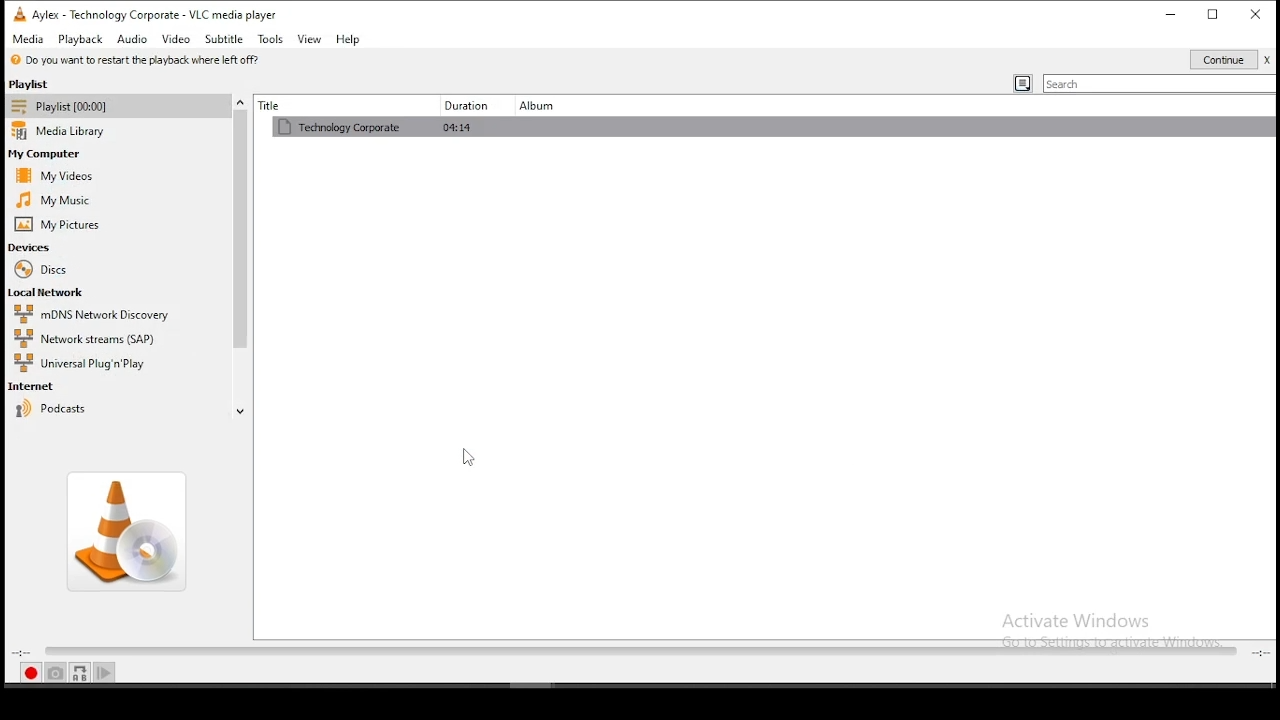 Image resolution: width=1280 pixels, height=720 pixels. What do you see at coordinates (1159, 85) in the screenshot?
I see `search bar` at bounding box center [1159, 85].